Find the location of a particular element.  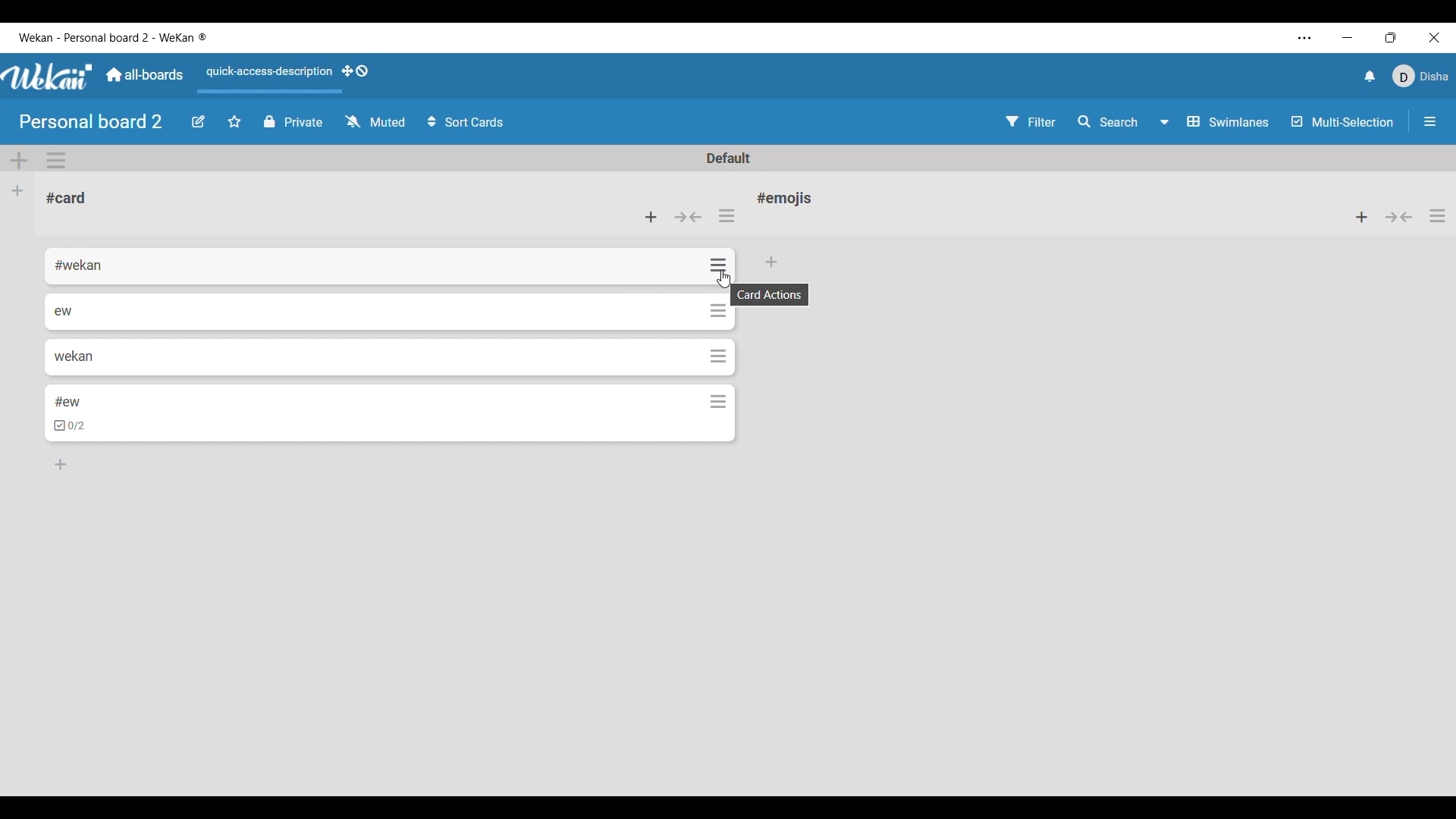

Description of current selection by cursor is located at coordinates (770, 295).